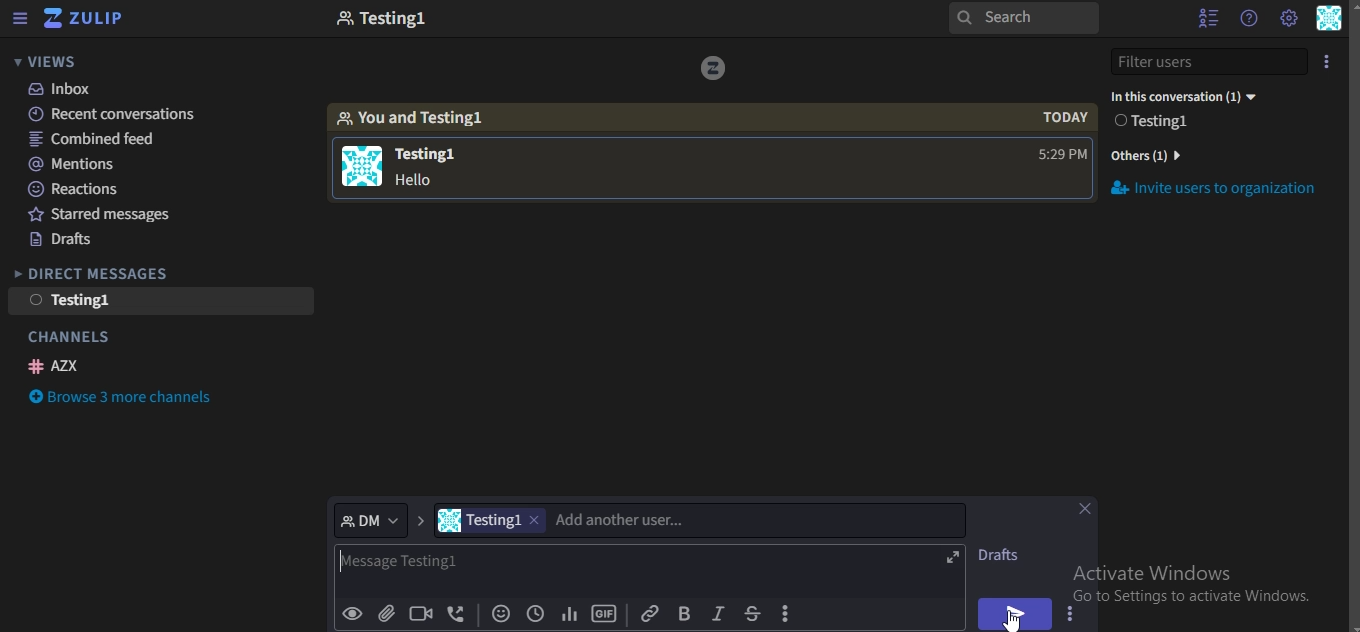 The width and height of the screenshot is (1360, 632). What do you see at coordinates (1184, 97) in the screenshot?
I see `testing1` at bounding box center [1184, 97].